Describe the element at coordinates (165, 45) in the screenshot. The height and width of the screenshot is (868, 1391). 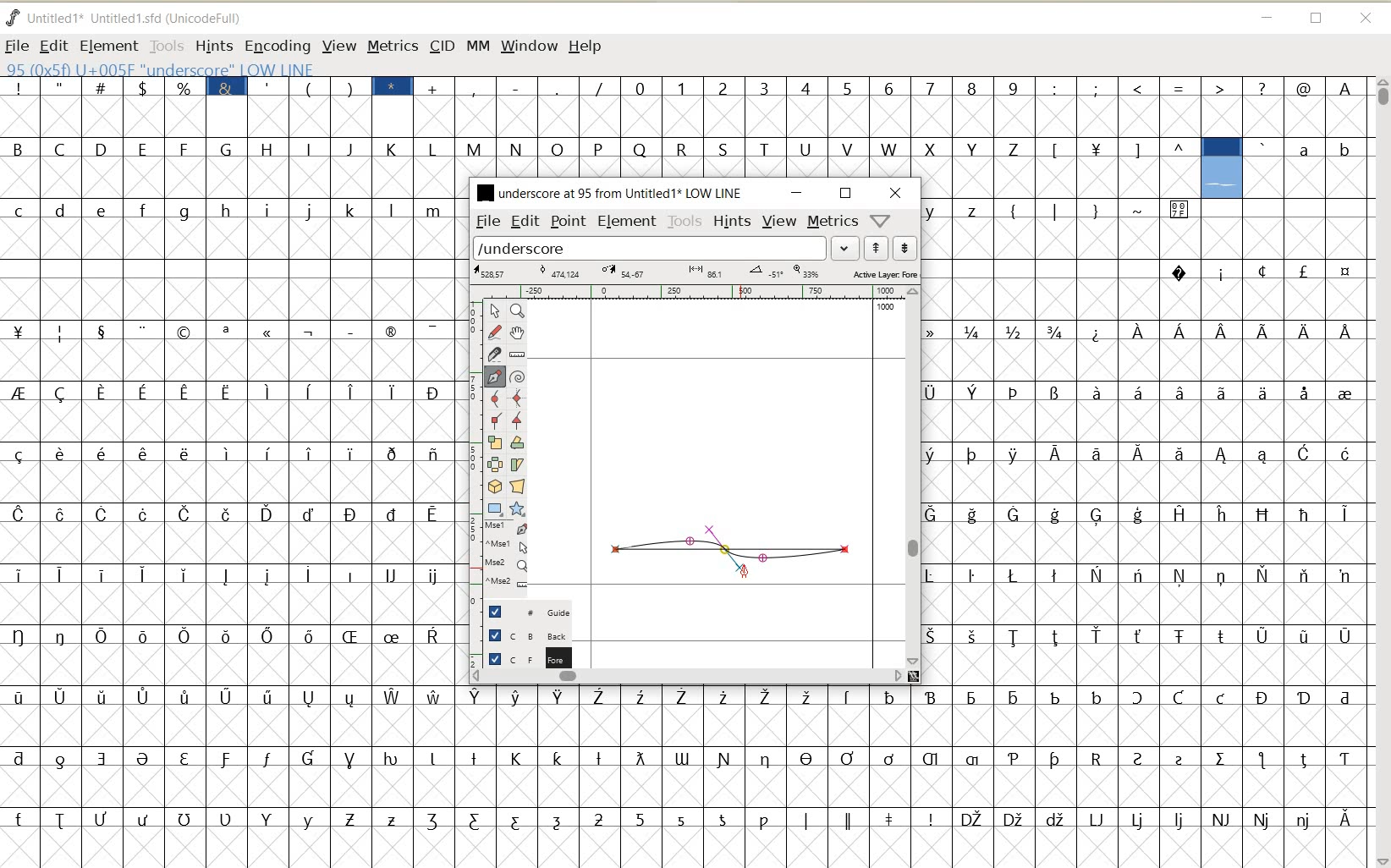
I see `TOOLS` at that location.